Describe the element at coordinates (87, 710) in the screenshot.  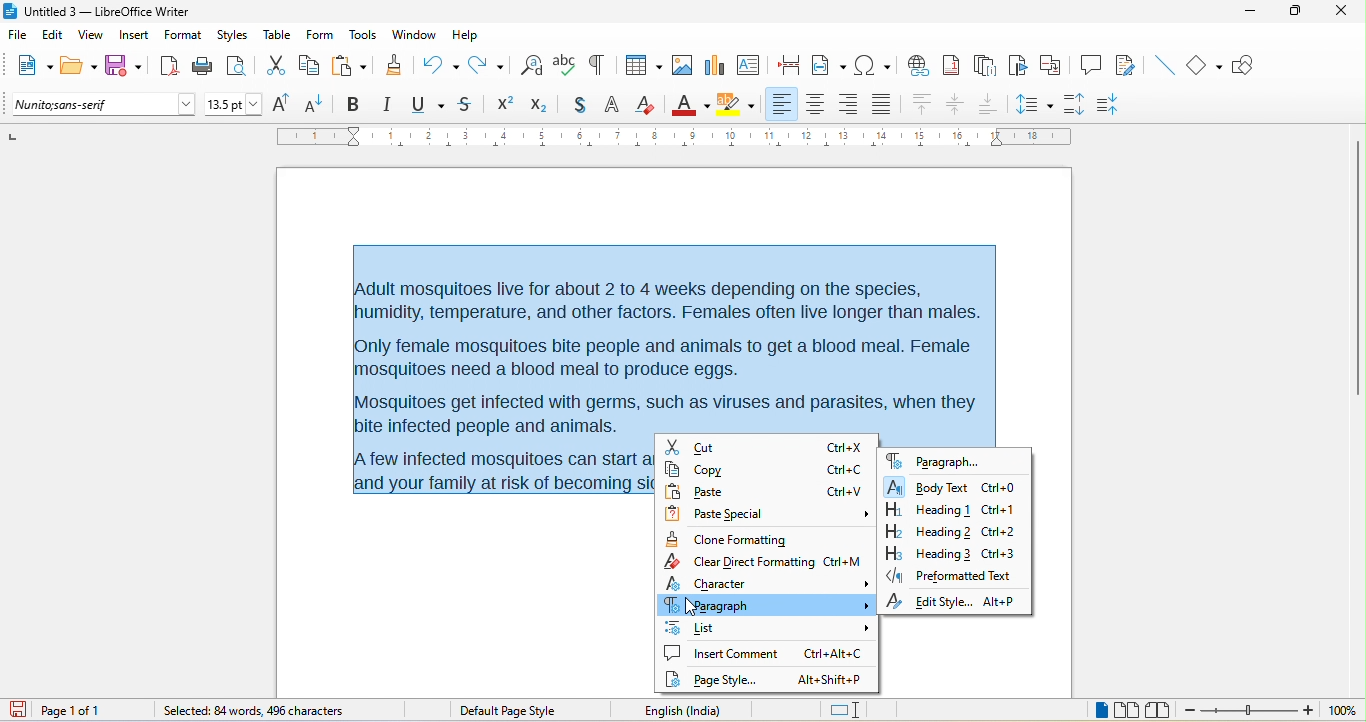
I see `page 1 of 1` at that location.